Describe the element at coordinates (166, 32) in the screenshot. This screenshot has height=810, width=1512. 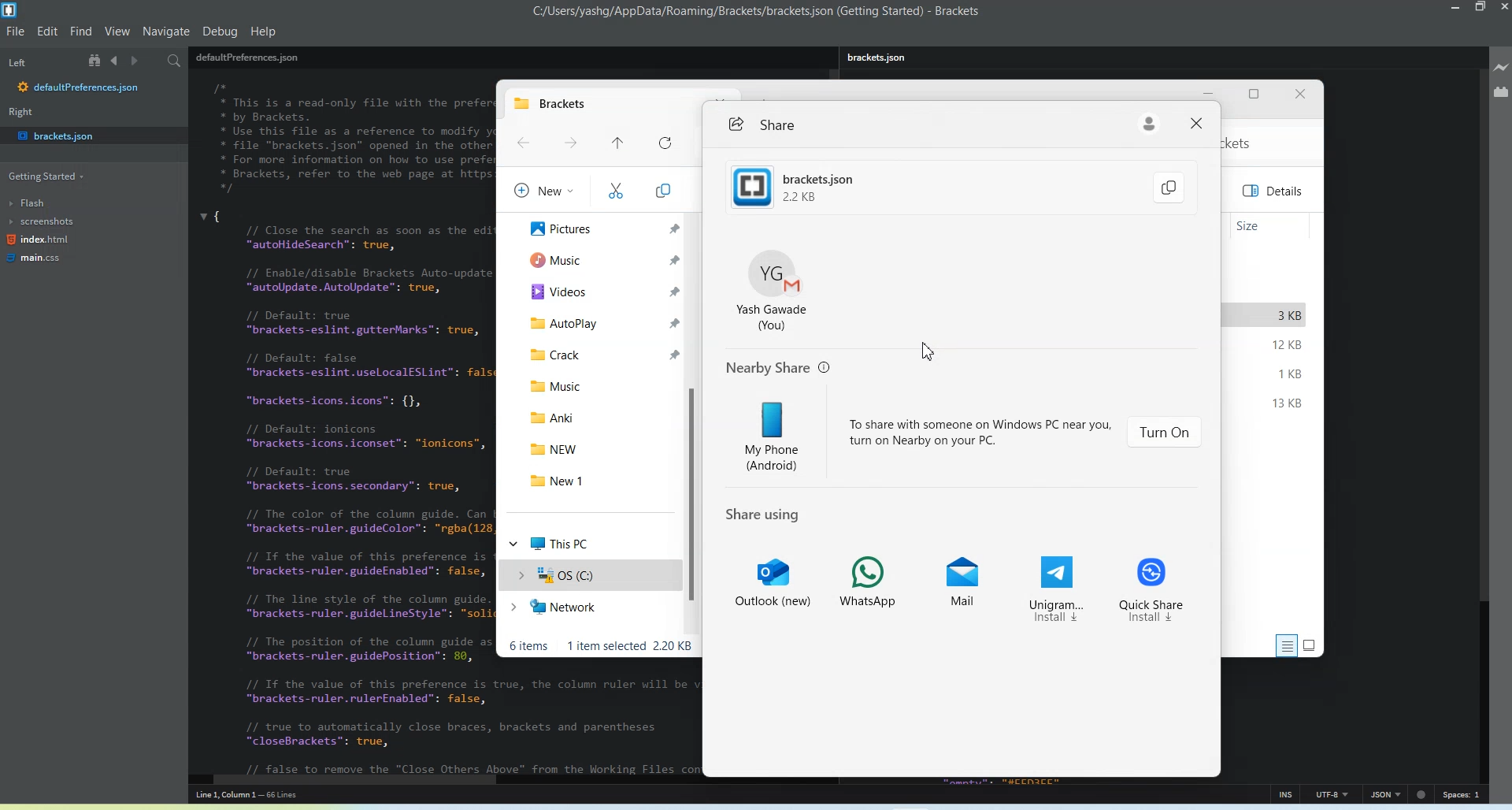
I see `Navigate` at that location.